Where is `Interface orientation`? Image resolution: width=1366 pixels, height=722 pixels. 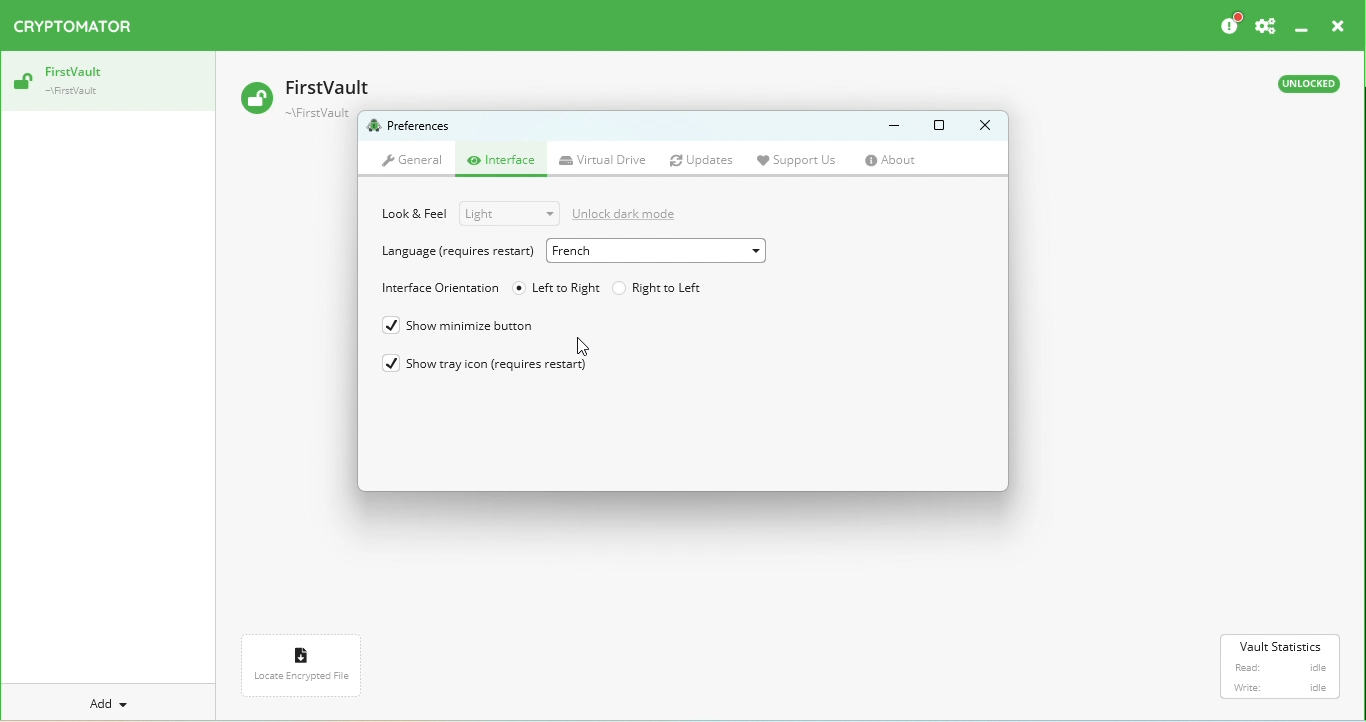 Interface orientation is located at coordinates (437, 289).